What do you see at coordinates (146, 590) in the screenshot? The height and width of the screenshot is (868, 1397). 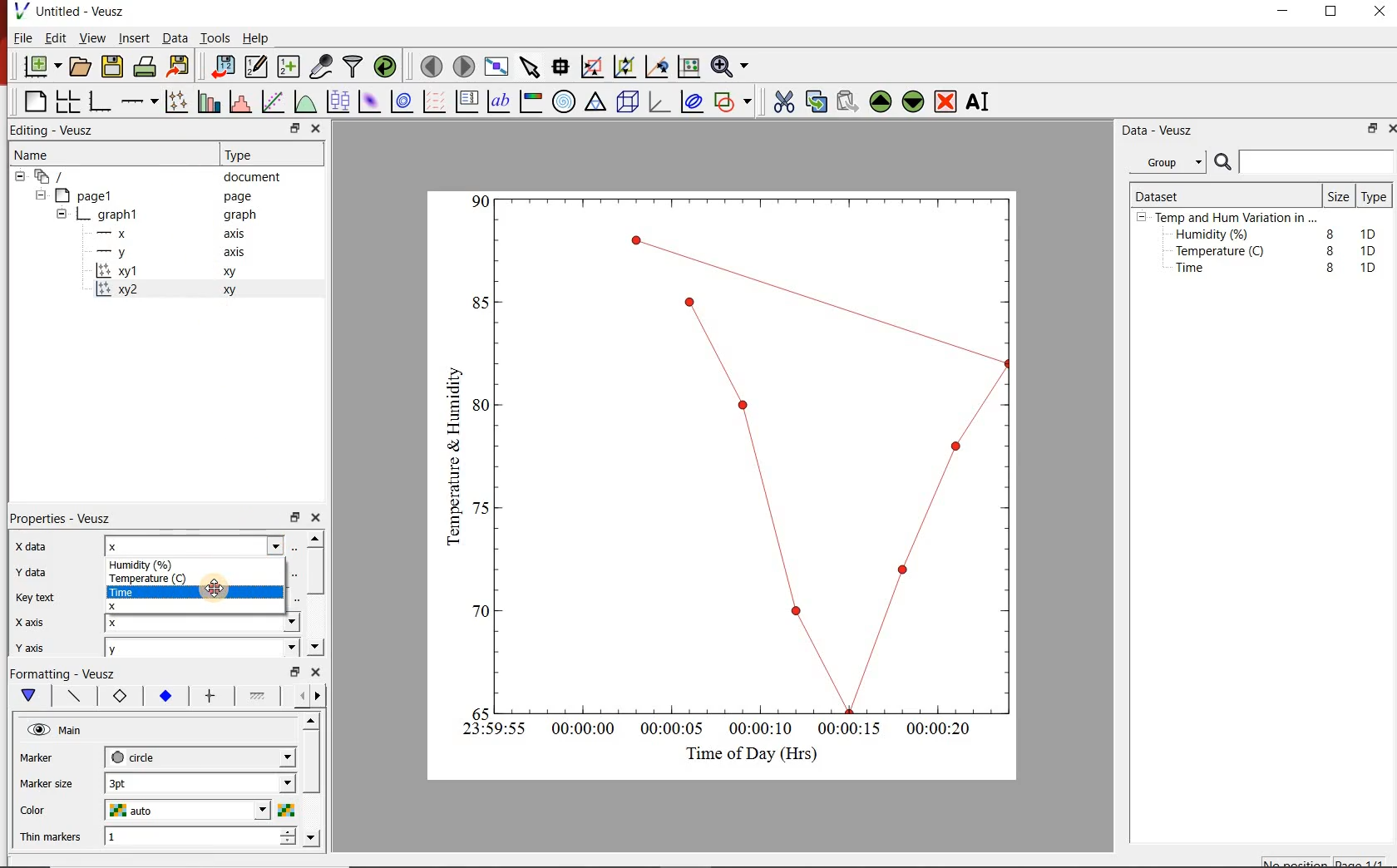 I see `Time` at bounding box center [146, 590].